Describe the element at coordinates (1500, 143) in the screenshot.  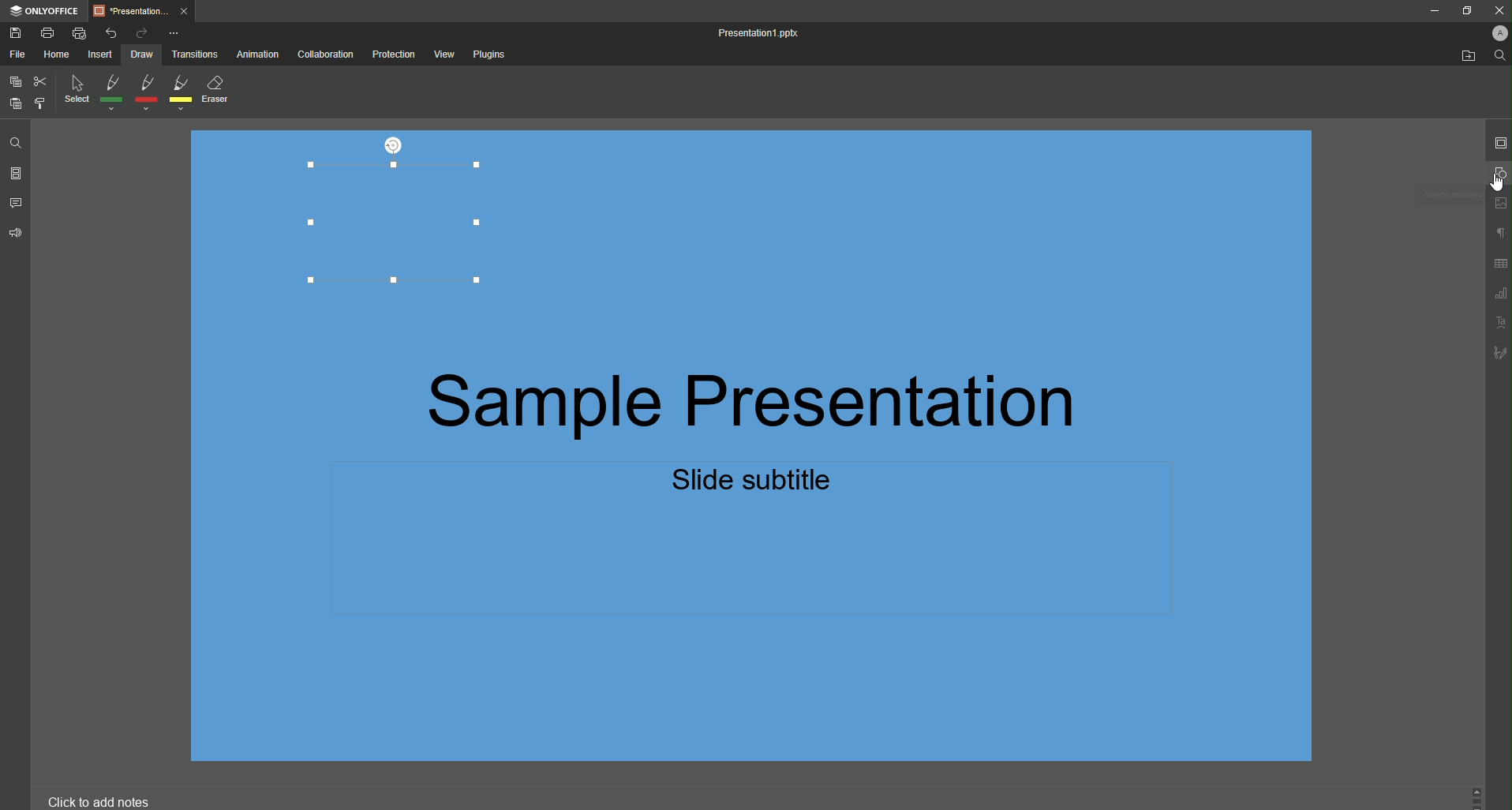
I see `Slide Settings` at that location.